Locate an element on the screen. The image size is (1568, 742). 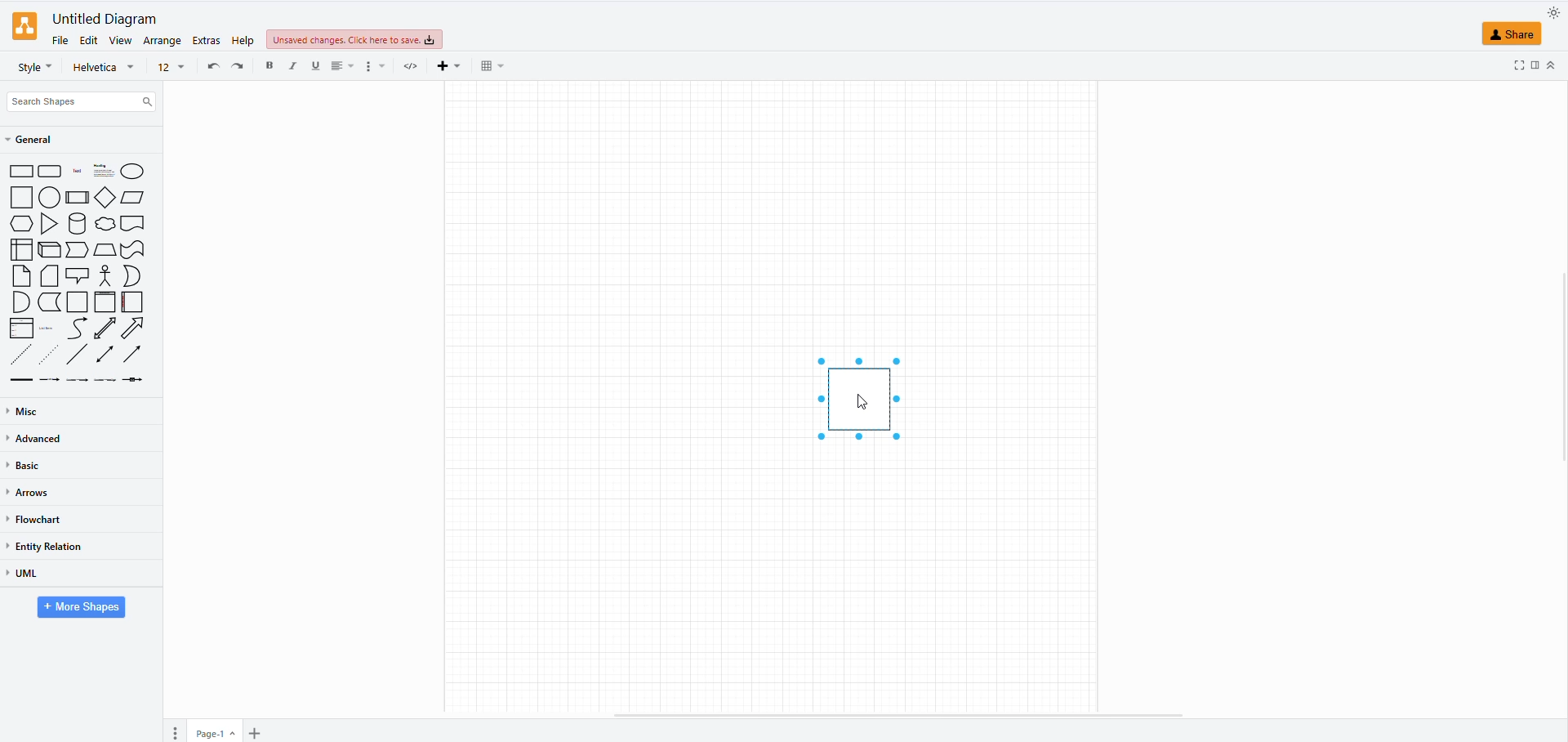
hexagon is located at coordinates (22, 225).